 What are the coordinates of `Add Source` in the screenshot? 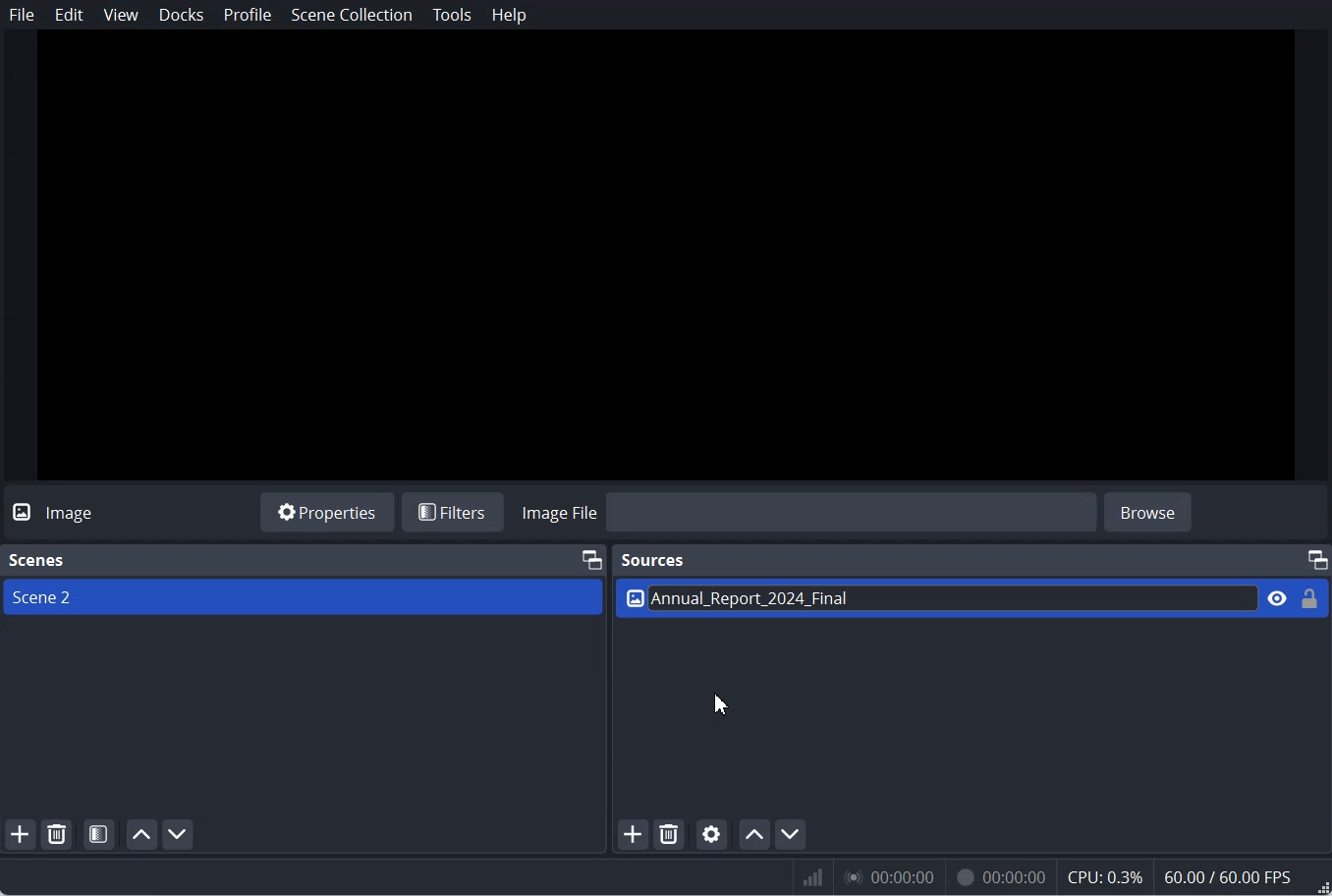 It's located at (634, 833).